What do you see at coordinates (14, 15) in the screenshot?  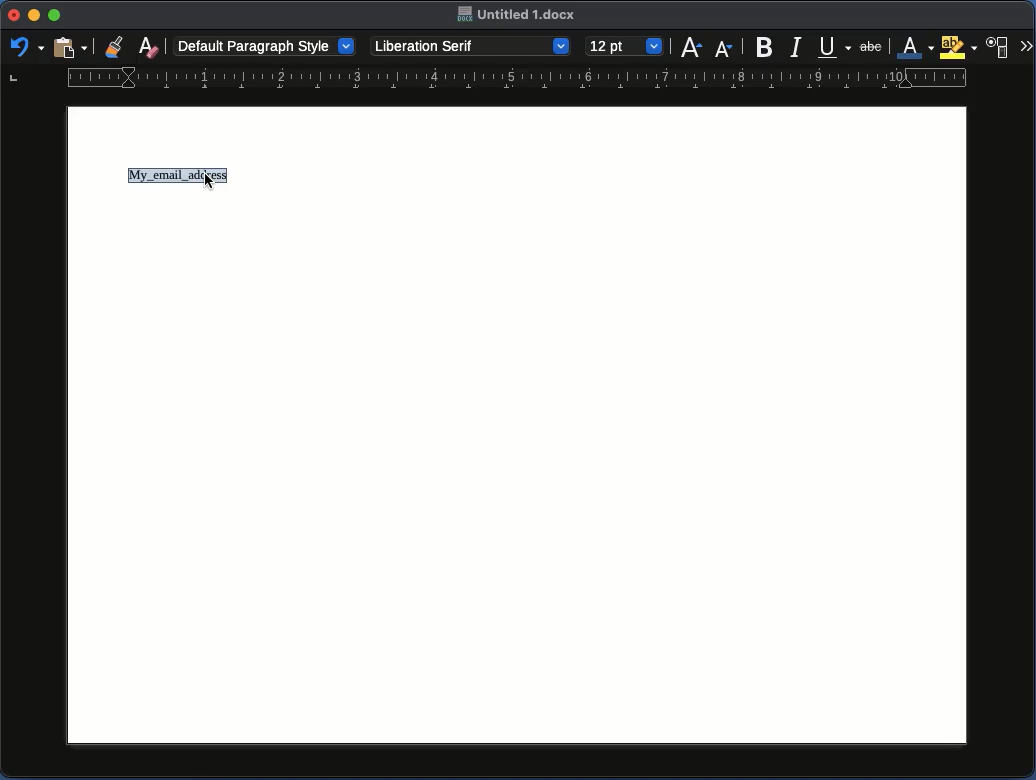 I see `Close` at bounding box center [14, 15].